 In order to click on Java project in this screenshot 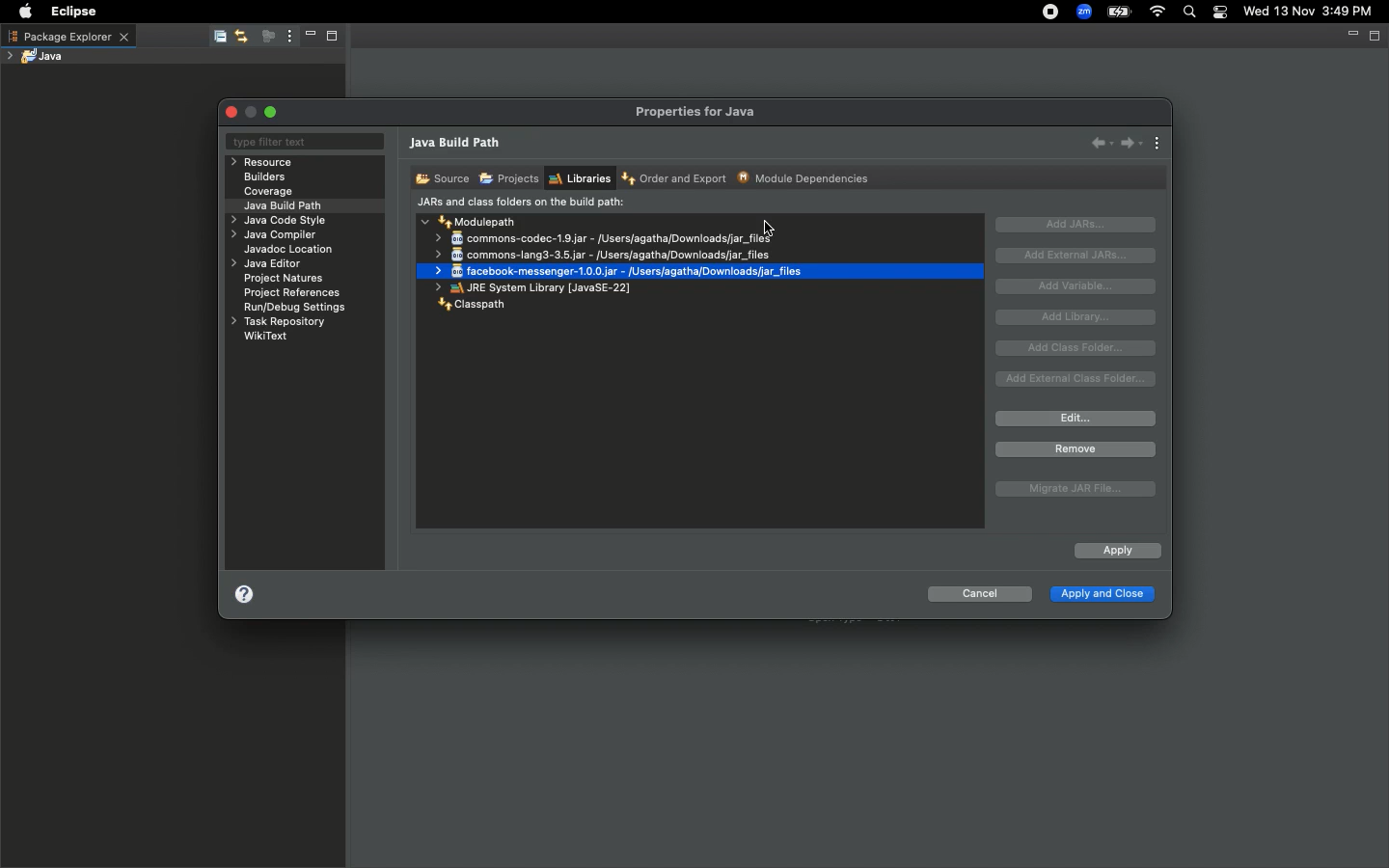, I will do `click(40, 56)`.